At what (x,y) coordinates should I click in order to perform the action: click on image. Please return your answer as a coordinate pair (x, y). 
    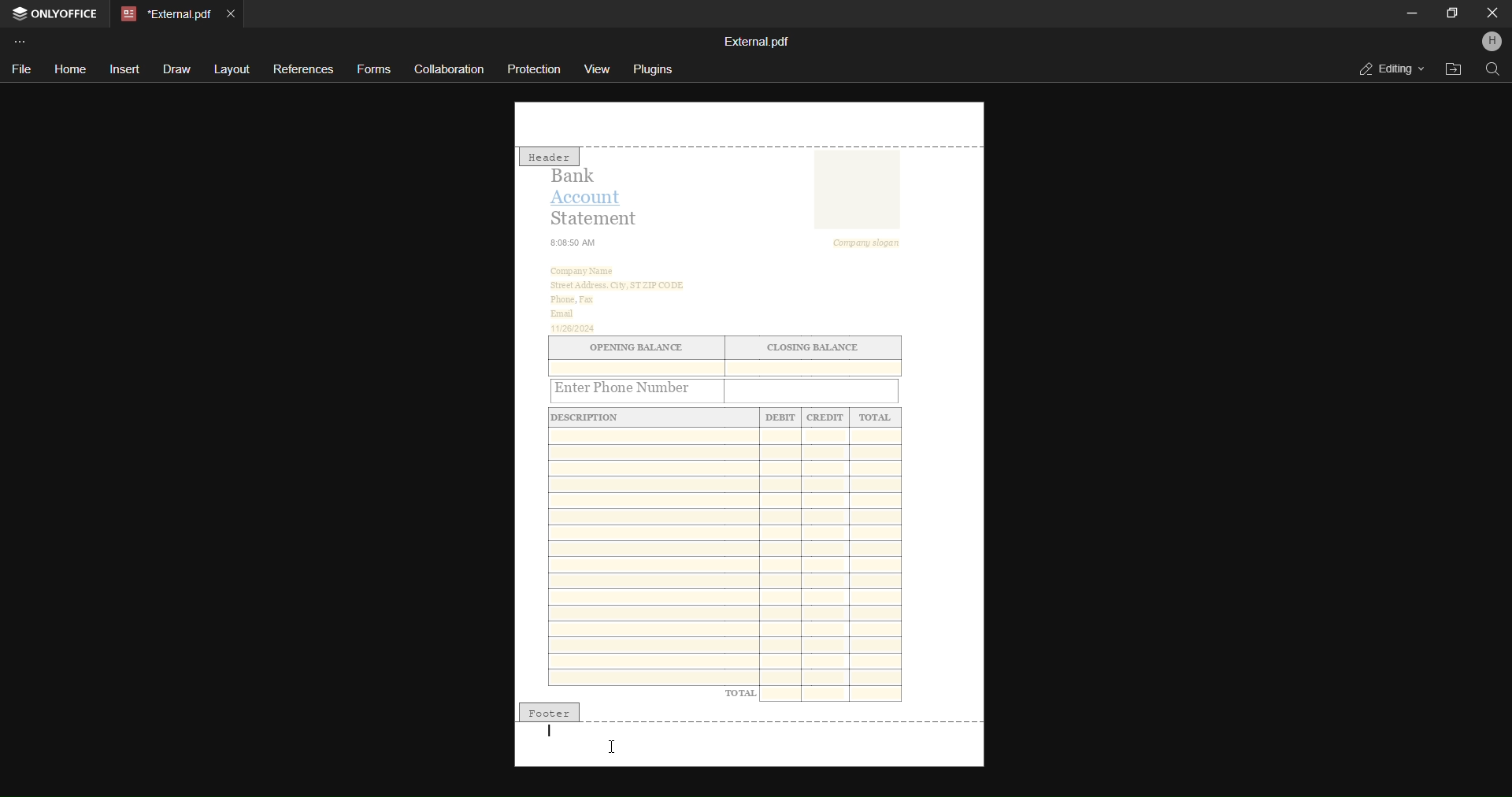
    Looking at the image, I should click on (855, 191).